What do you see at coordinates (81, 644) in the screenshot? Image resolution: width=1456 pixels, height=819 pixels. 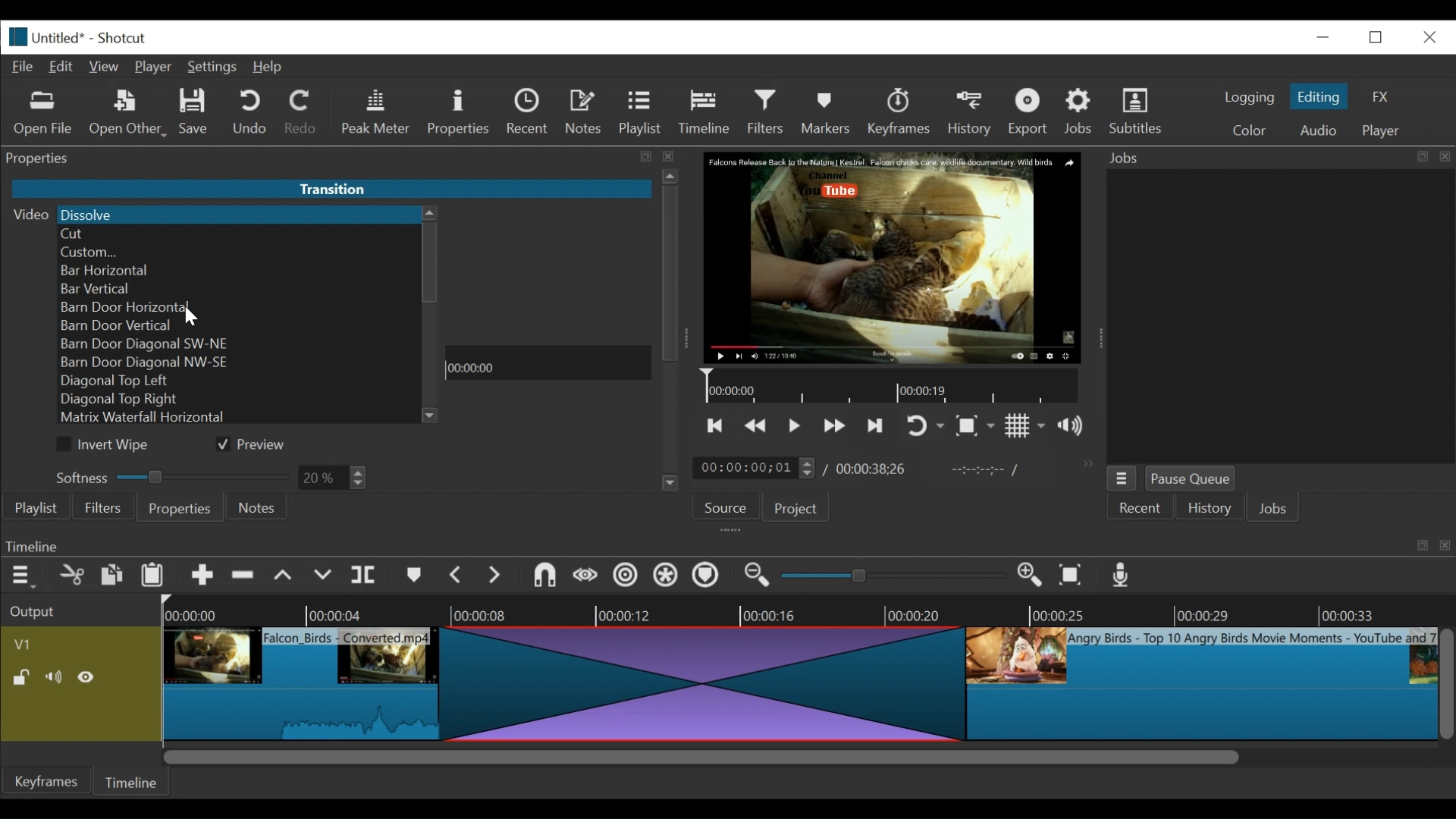 I see `Video track` at bounding box center [81, 644].